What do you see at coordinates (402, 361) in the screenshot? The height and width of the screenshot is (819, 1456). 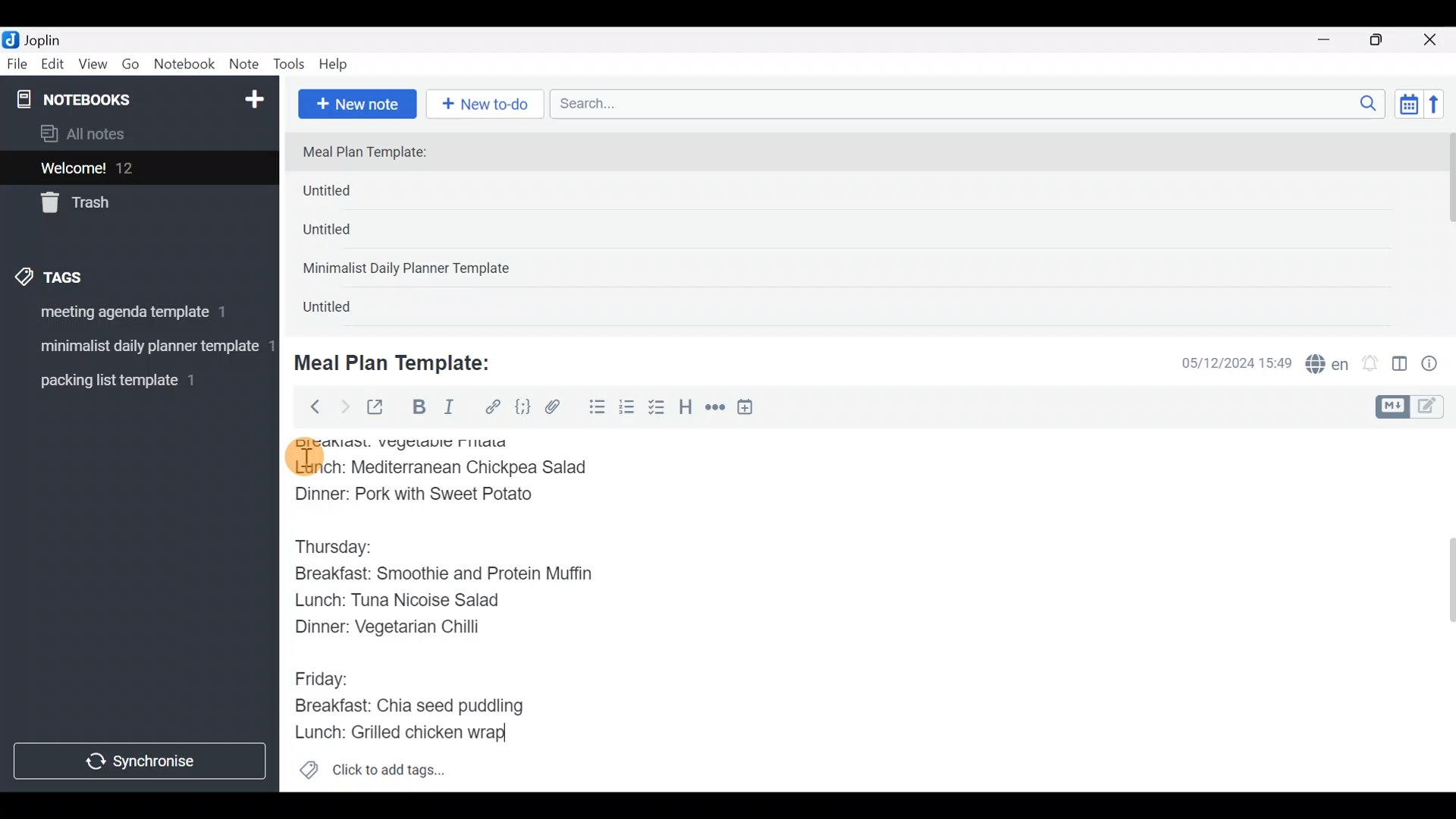 I see `Meal Plan Template:` at bounding box center [402, 361].